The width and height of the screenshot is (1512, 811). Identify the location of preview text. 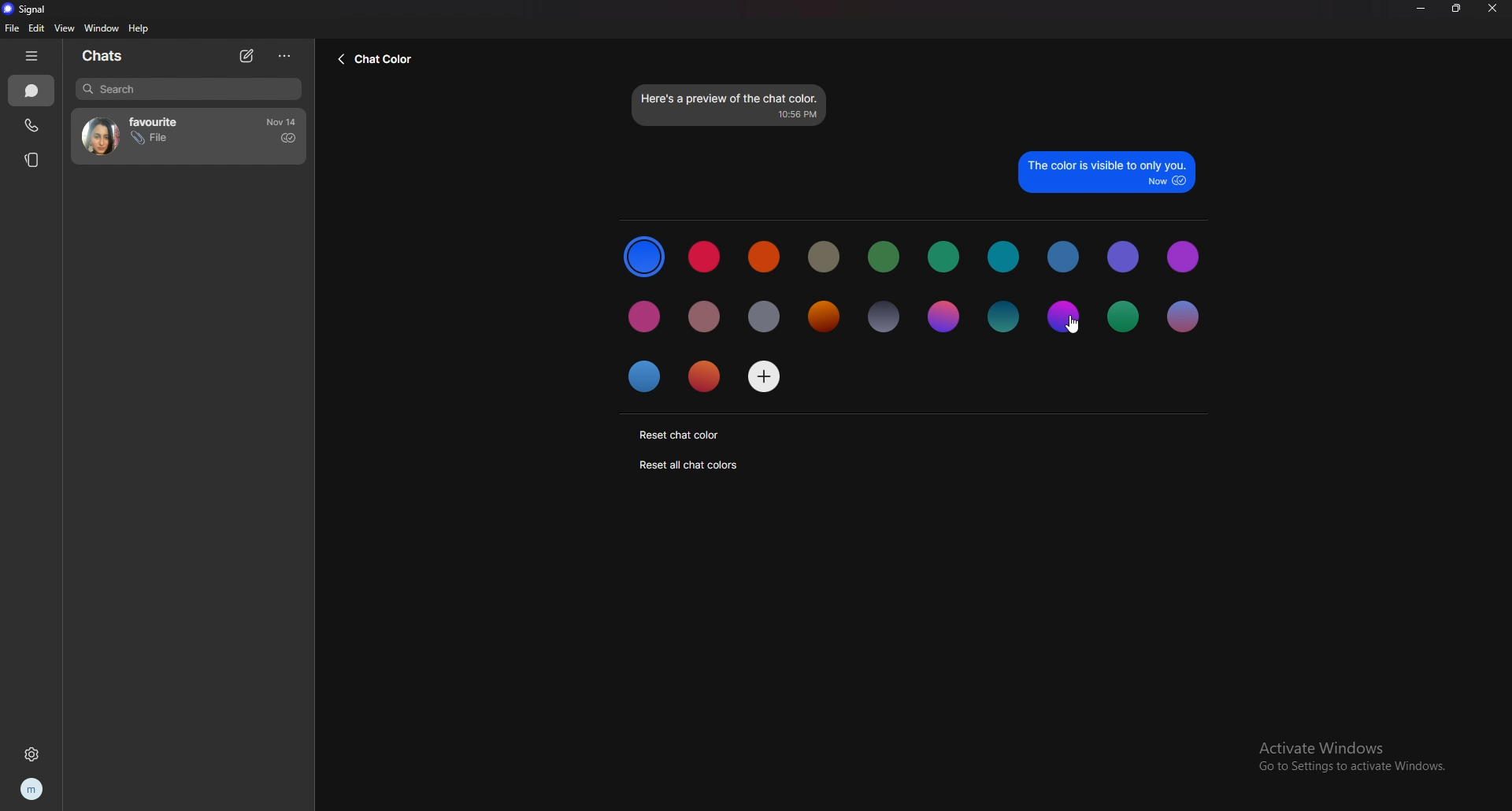
(731, 104).